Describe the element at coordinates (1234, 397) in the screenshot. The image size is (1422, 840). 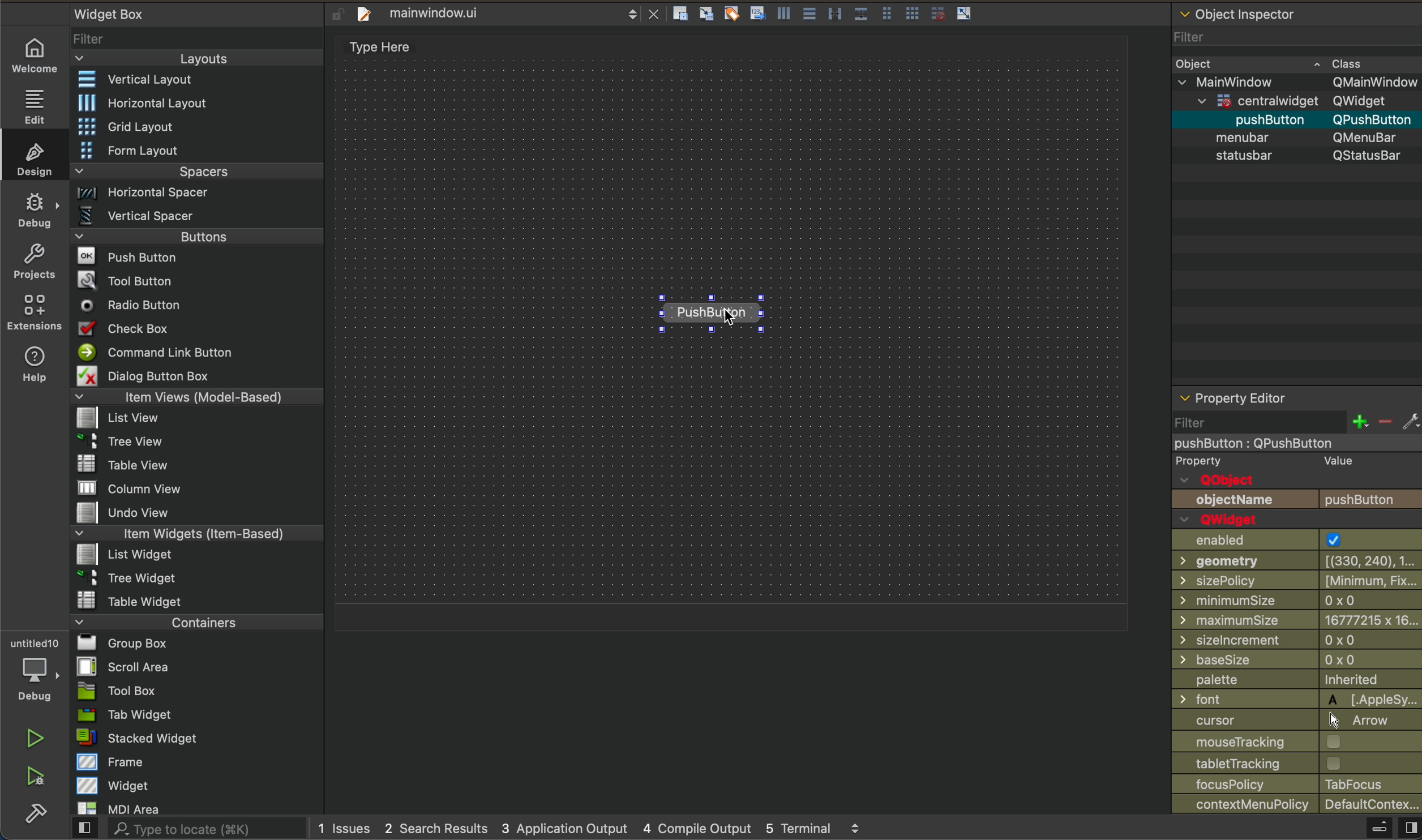
I see `Property Editor` at that location.